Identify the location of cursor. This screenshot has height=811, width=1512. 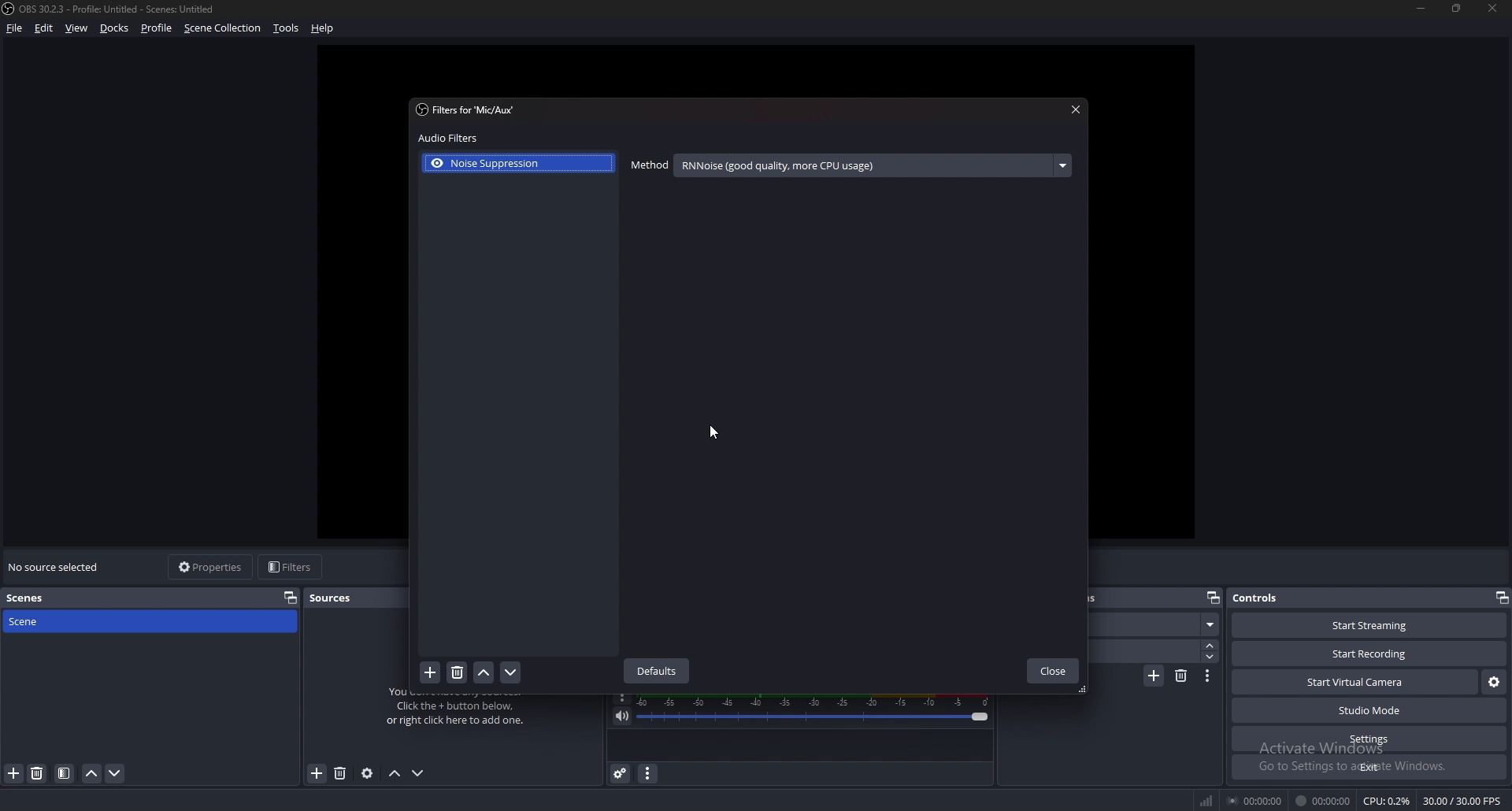
(716, 431).